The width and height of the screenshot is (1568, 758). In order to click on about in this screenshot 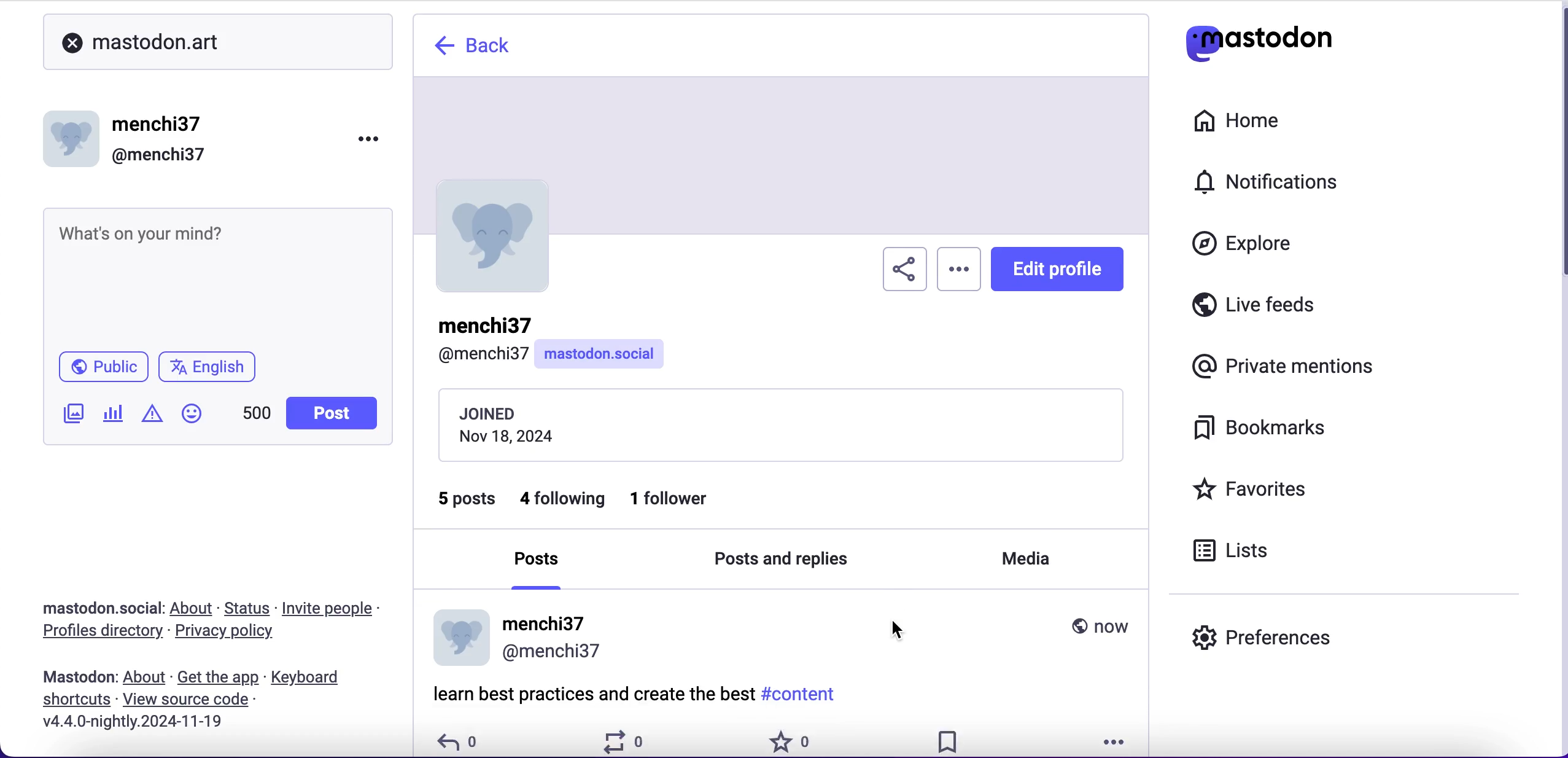, I will do `click(194, 609)`.